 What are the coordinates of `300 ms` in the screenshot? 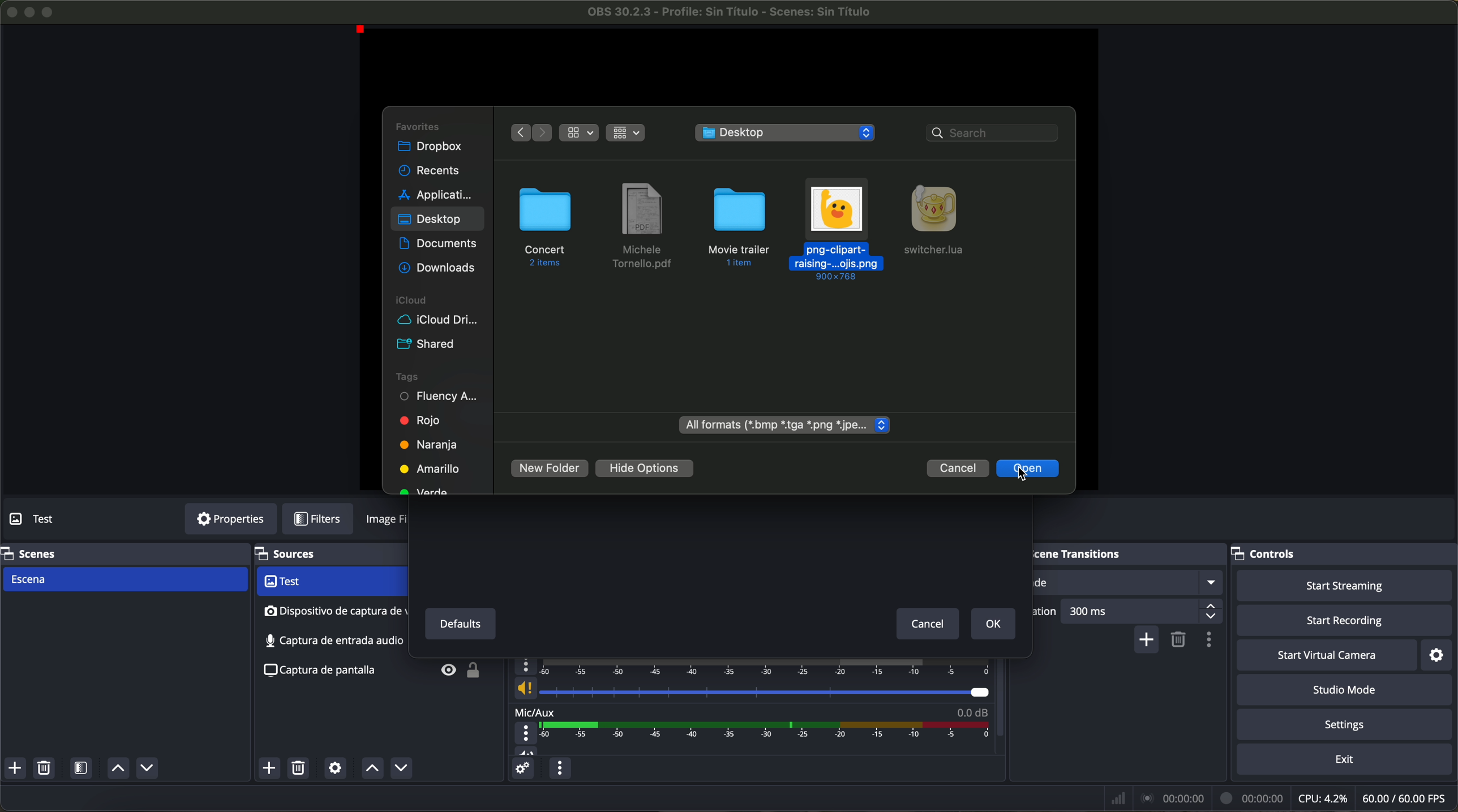 It's located at (1143, 611).